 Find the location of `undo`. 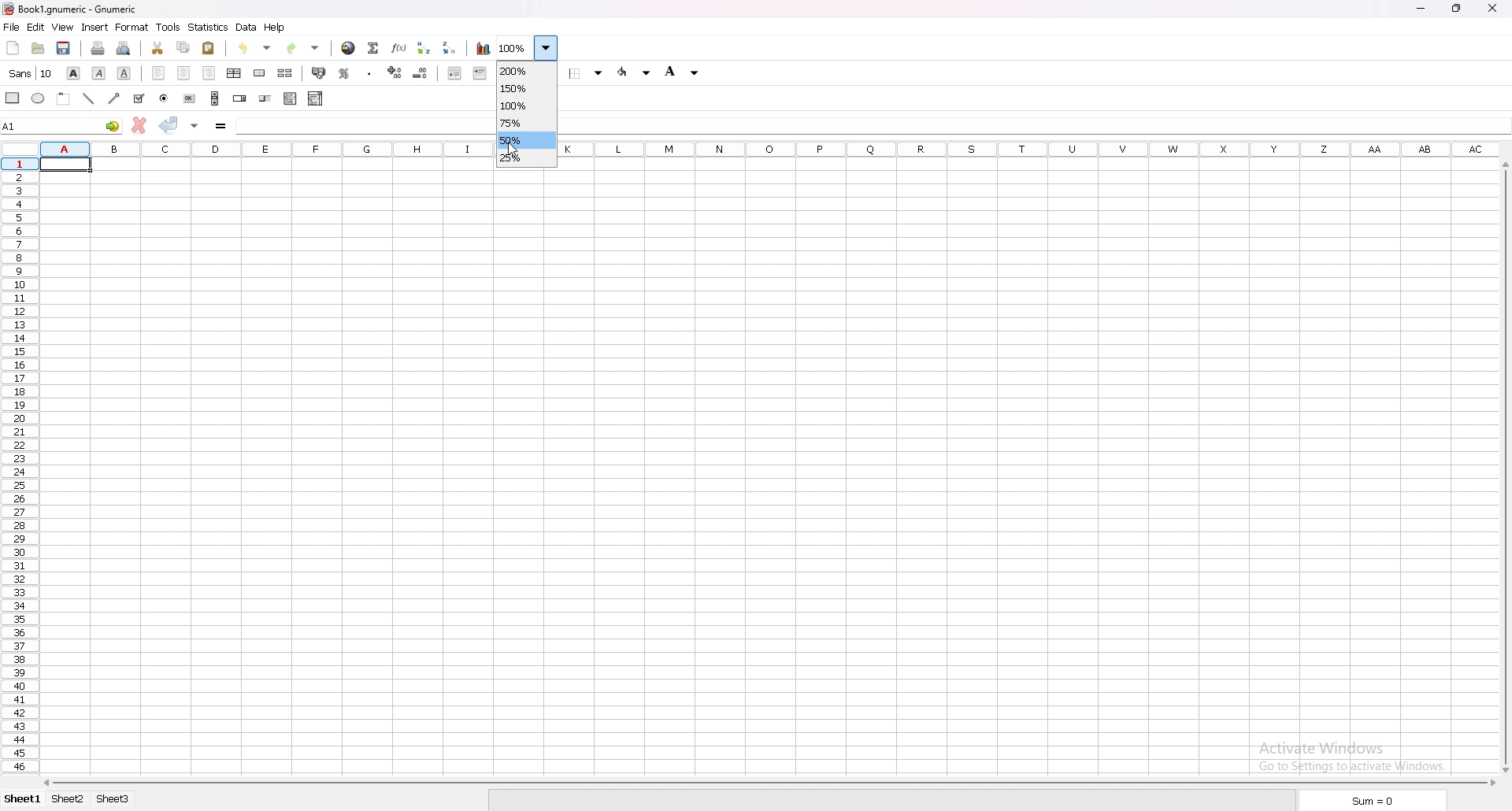

undo is located at coordinates (243, 48).